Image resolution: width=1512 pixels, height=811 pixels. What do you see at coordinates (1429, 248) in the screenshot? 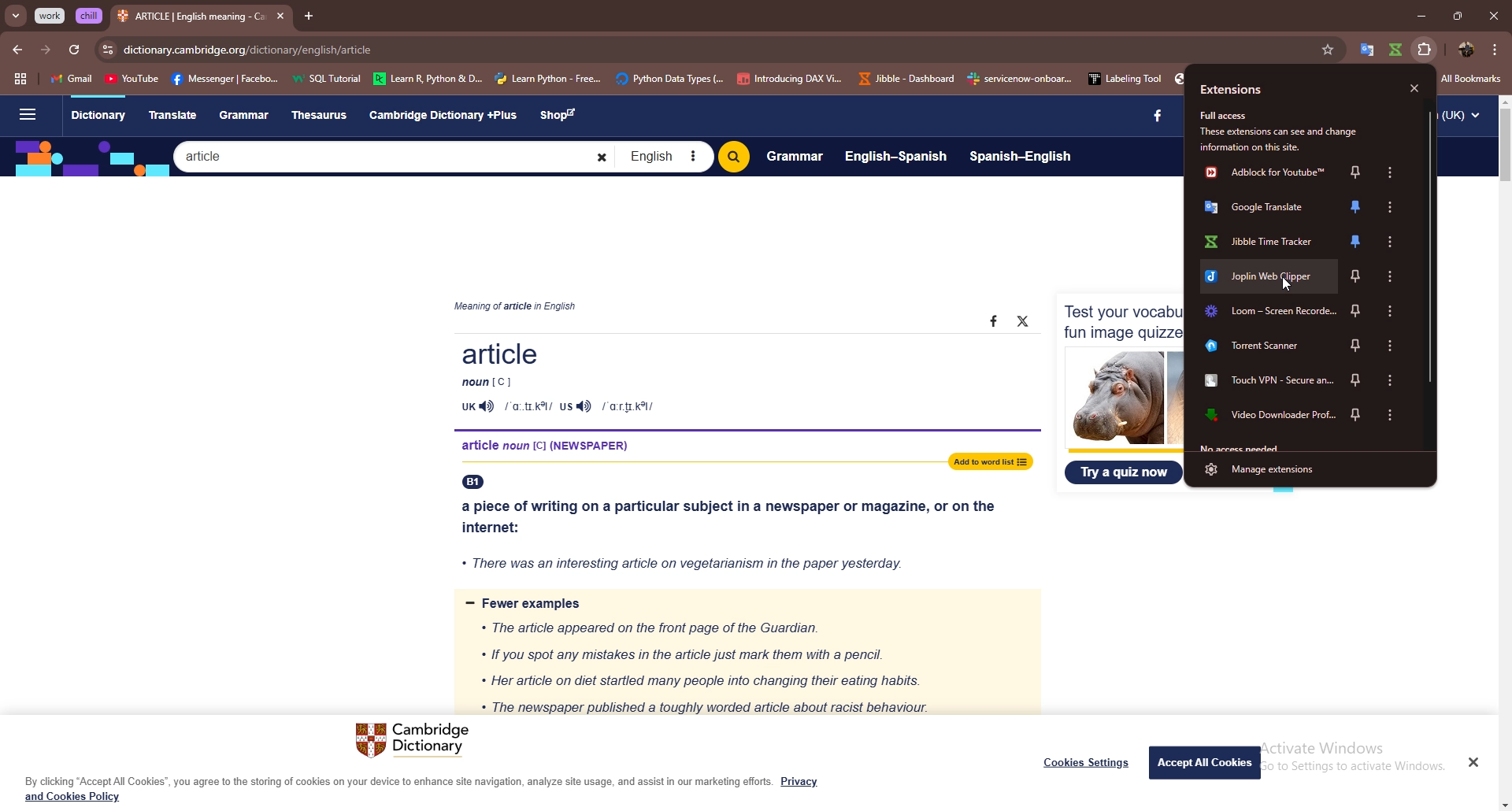
I see `scroll bar` at bounding box center [1429, 248].